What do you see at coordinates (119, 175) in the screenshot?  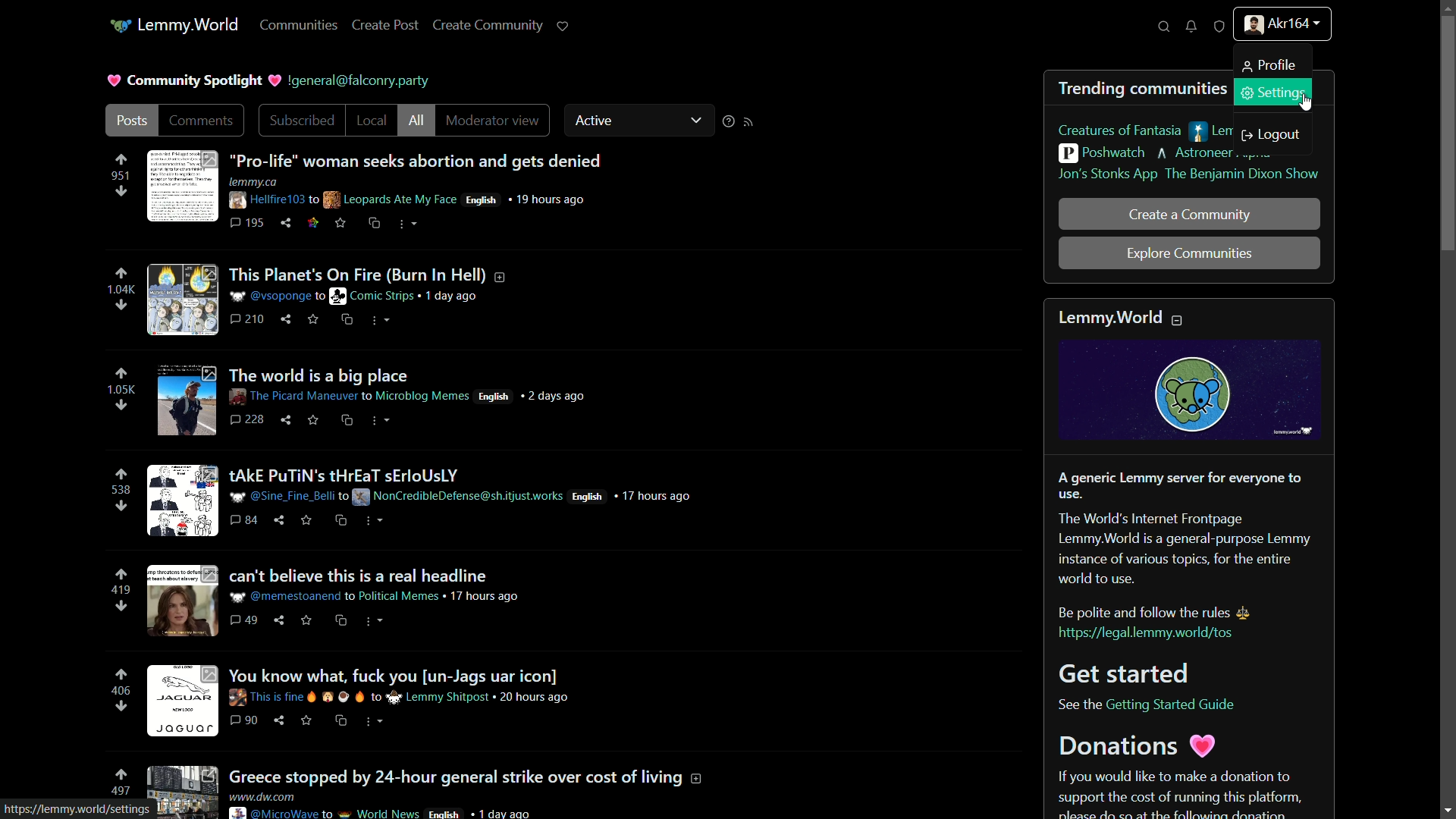 I see `number of votes` at bounding box center [119, 175].